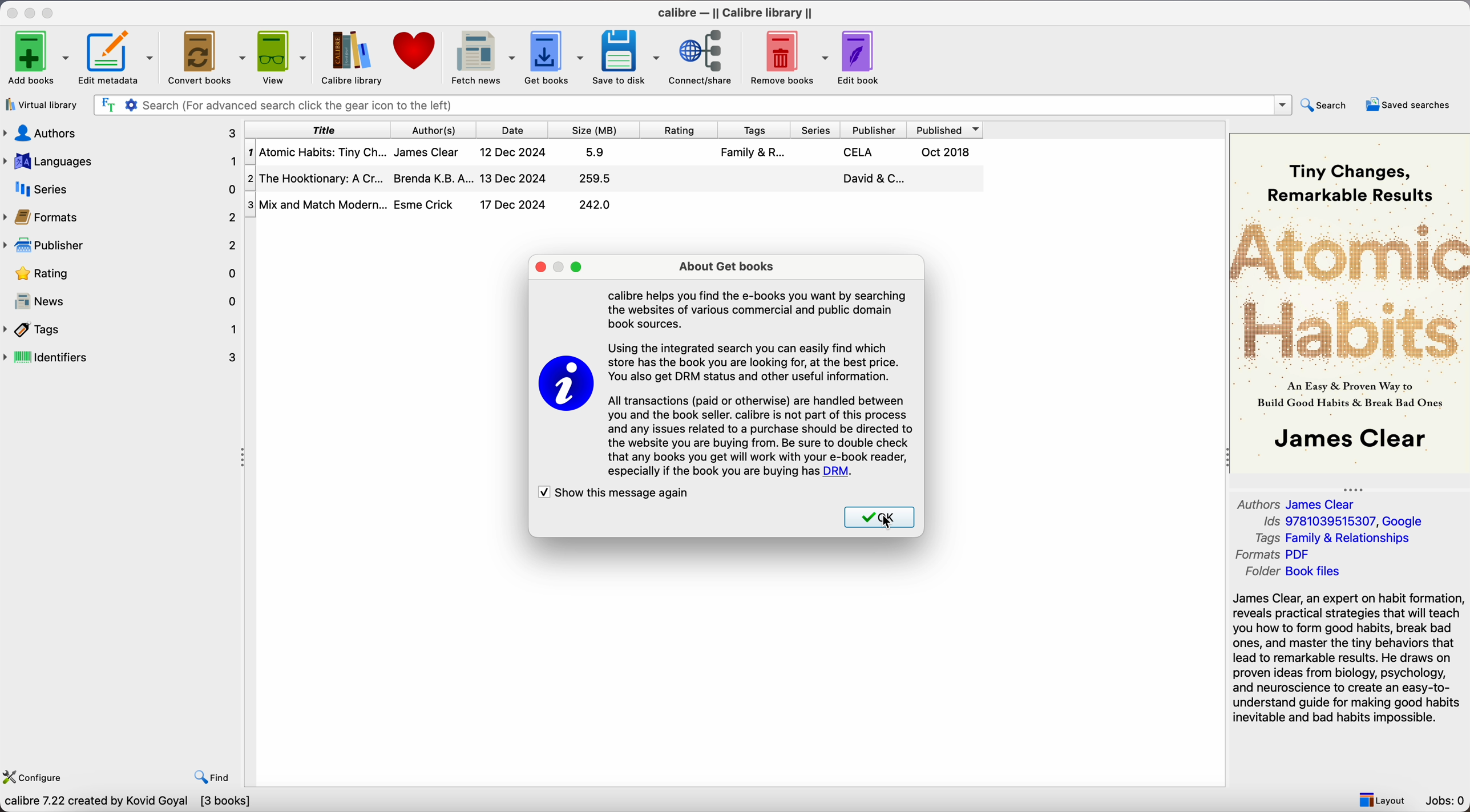 The width and height of the screenshot is (1470, 812). I want to click on Book cover preview, so click(1350, 302).